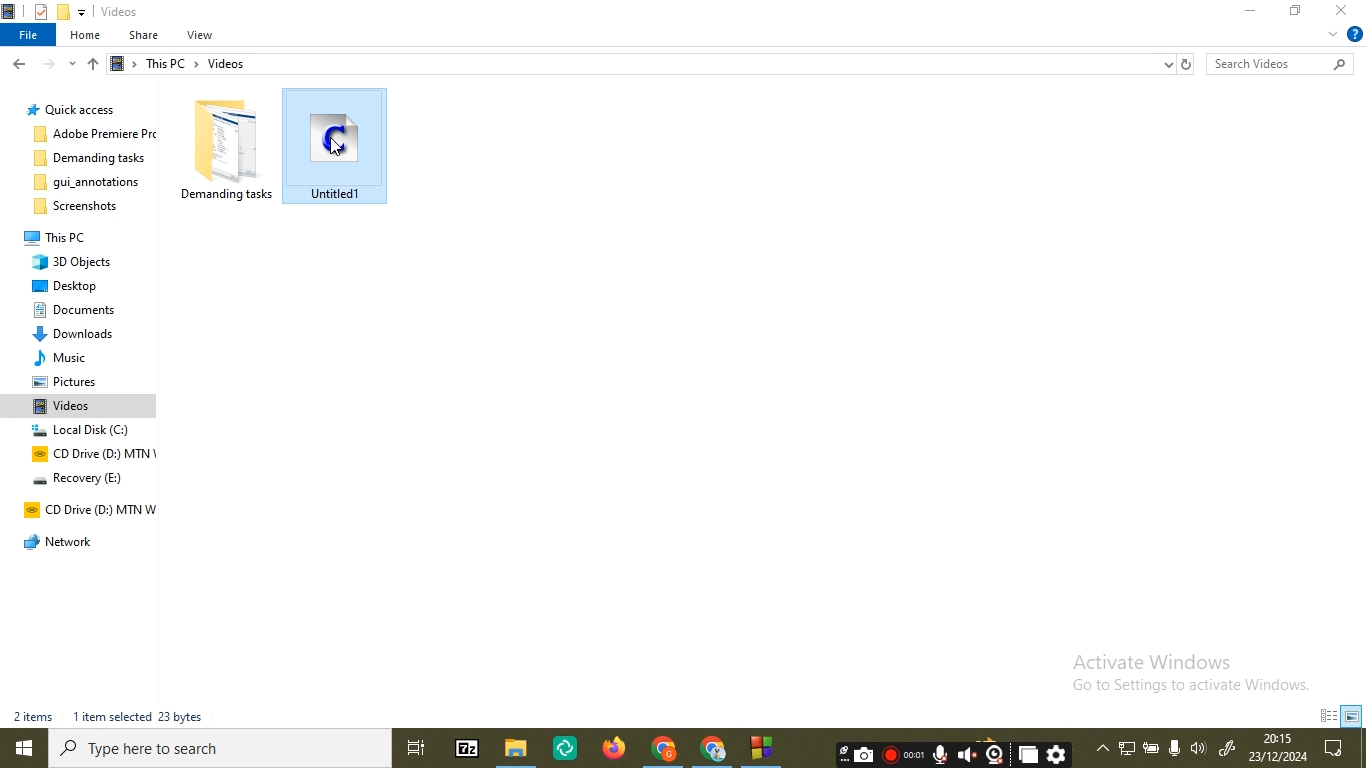  What do you see at coordinates (80, 160) in the screenshot?
I see `folder` at bounding box center [80, 160].